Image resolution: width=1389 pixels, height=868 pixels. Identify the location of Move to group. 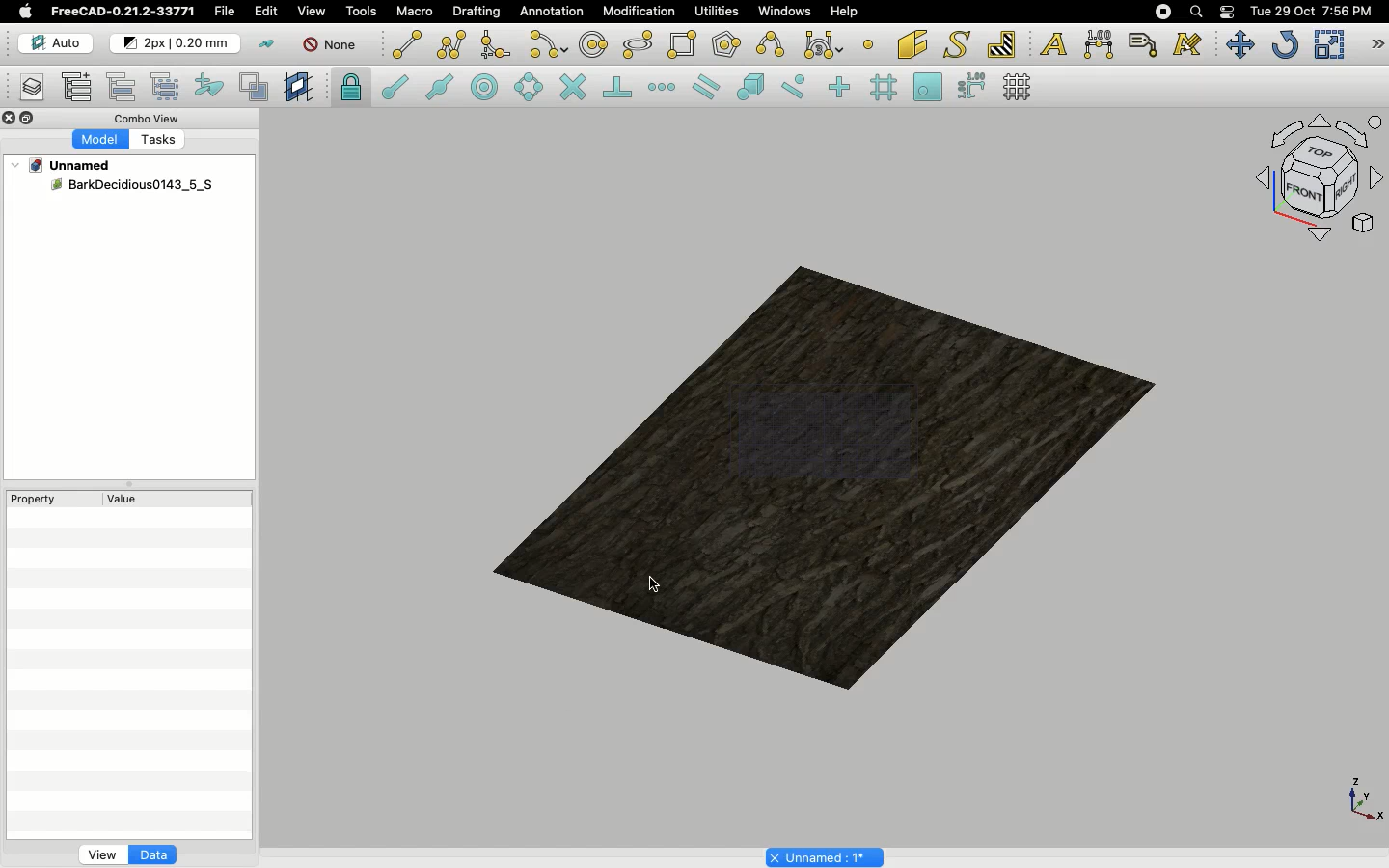
(124, 87).